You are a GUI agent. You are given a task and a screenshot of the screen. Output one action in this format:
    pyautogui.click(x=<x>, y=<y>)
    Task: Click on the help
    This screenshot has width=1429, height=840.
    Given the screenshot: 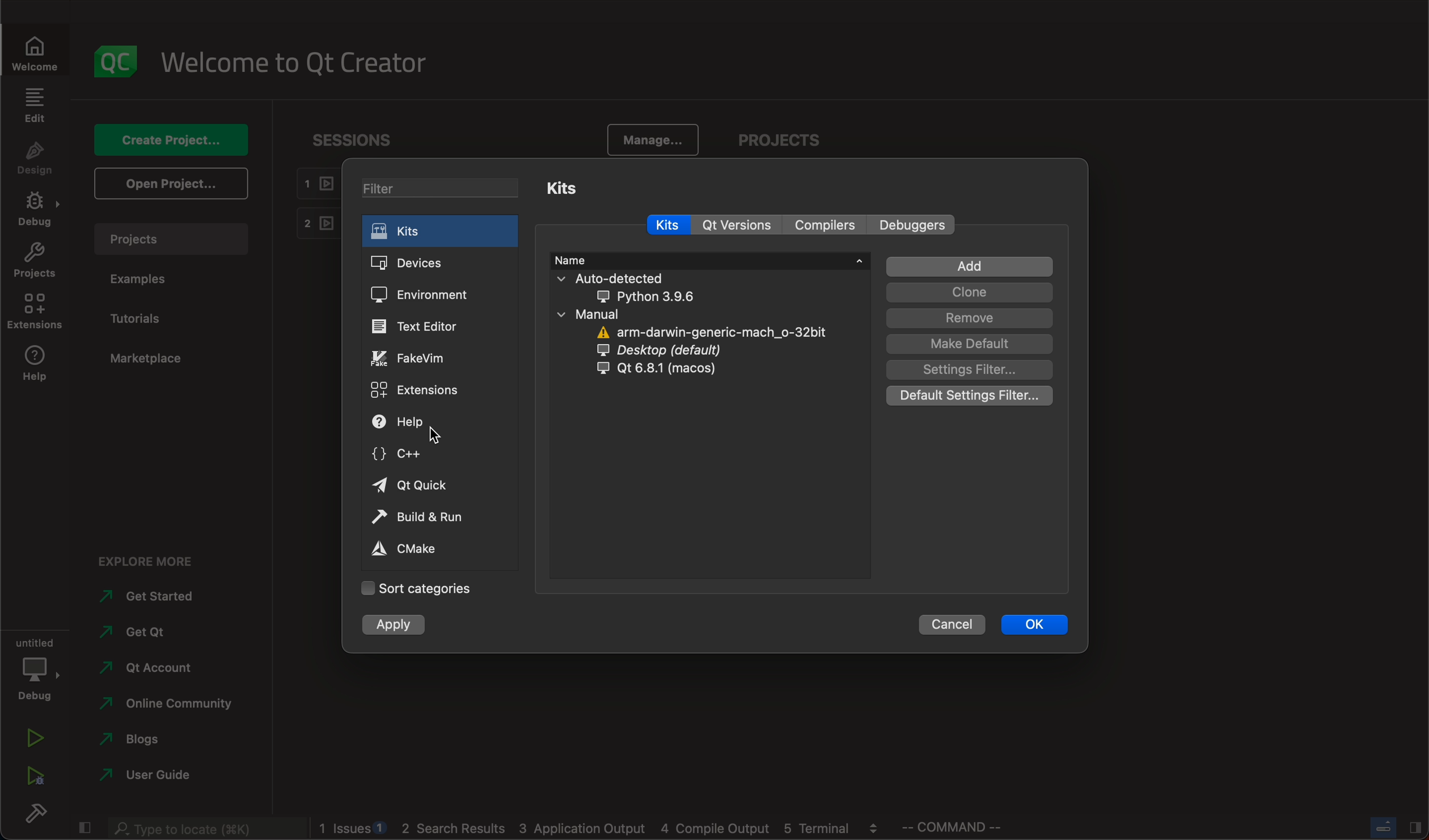 What is the action you would take?
    pyautogui.click(x=412, y=422)
    